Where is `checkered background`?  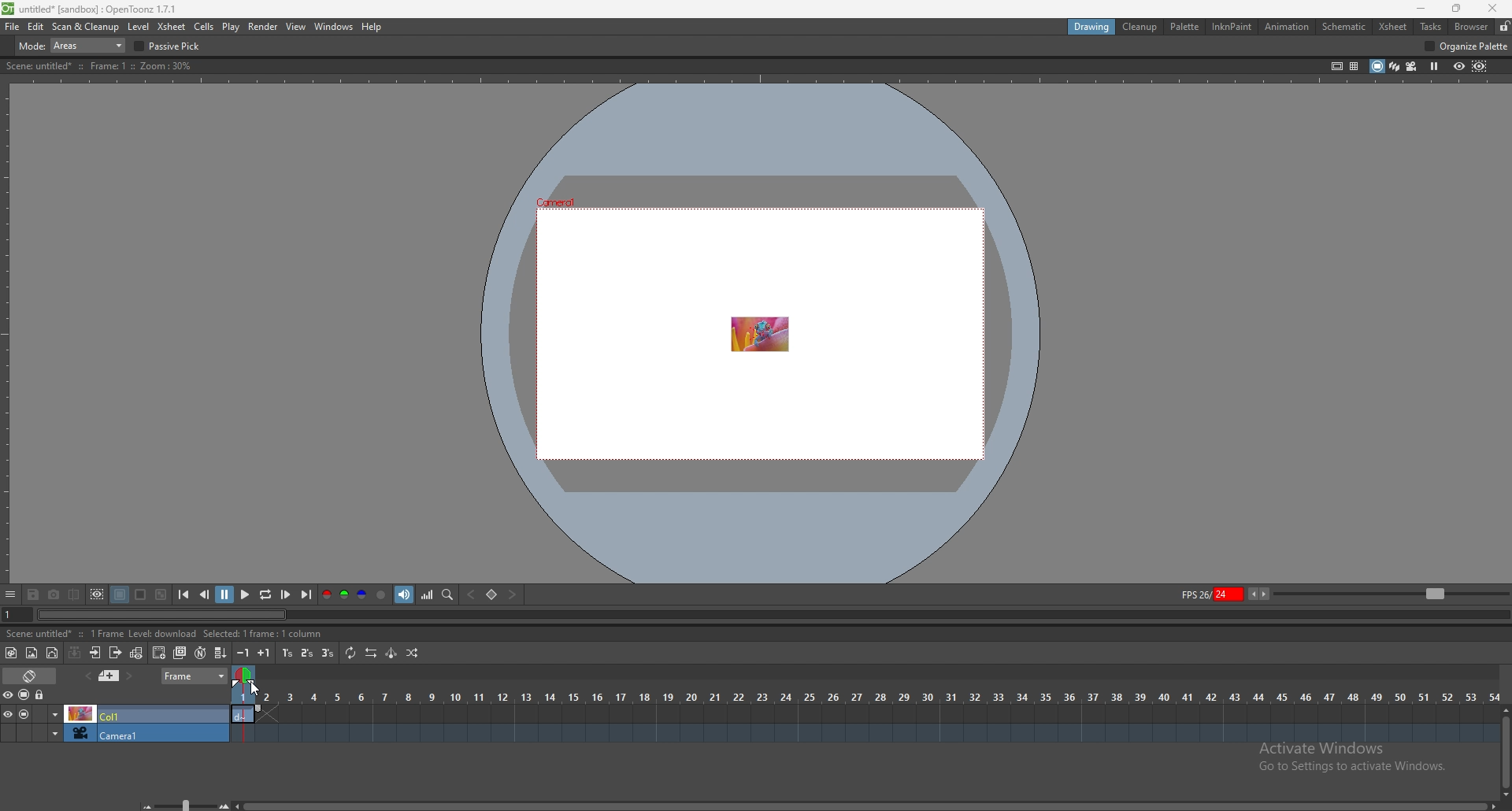 checkered background is located at coordinates (162, 594).